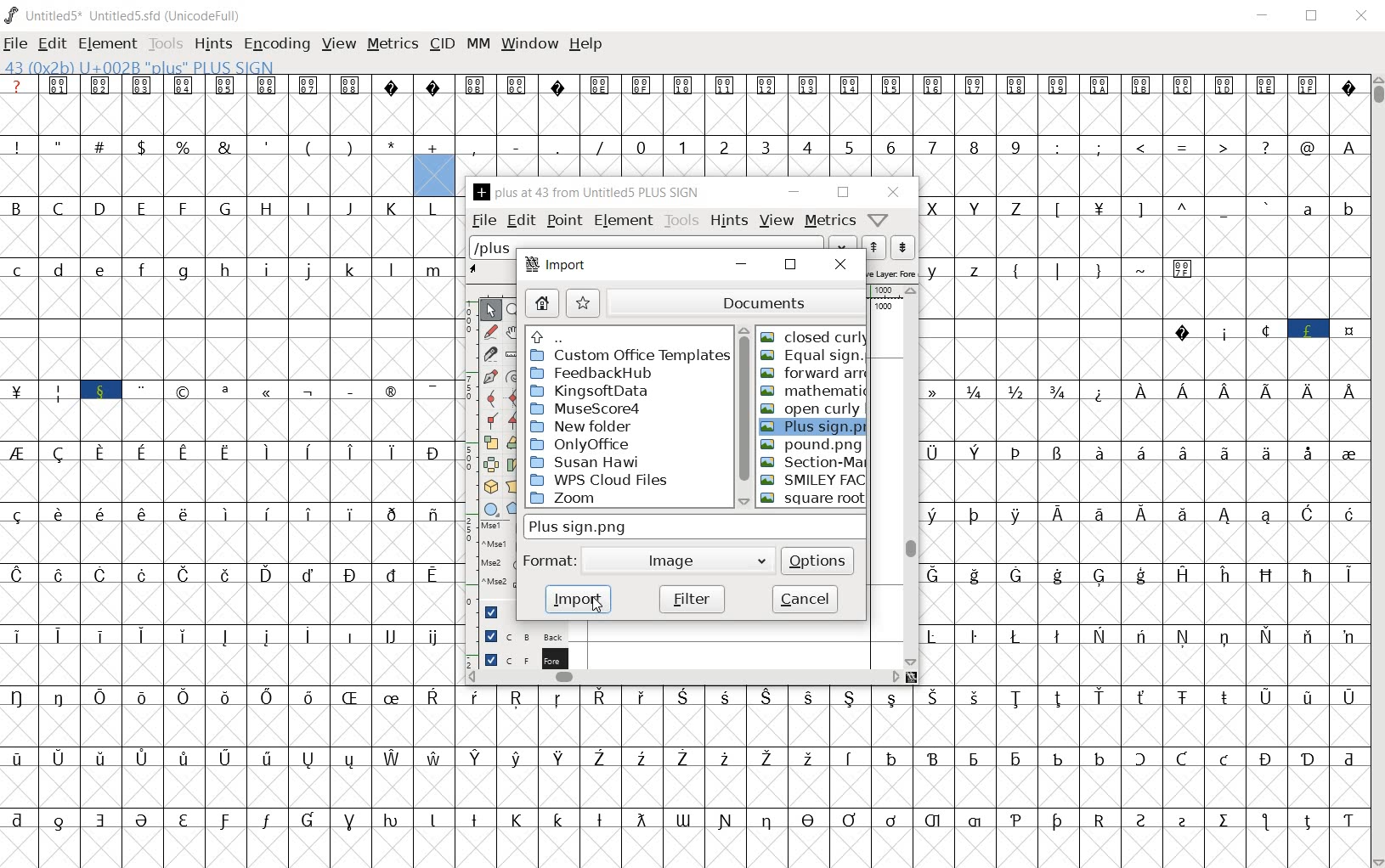 The image size is (1385, 868). What do you see at coordinates (476, 42) in the screenshot?
I see `mm` at bounding box center [476, 42].